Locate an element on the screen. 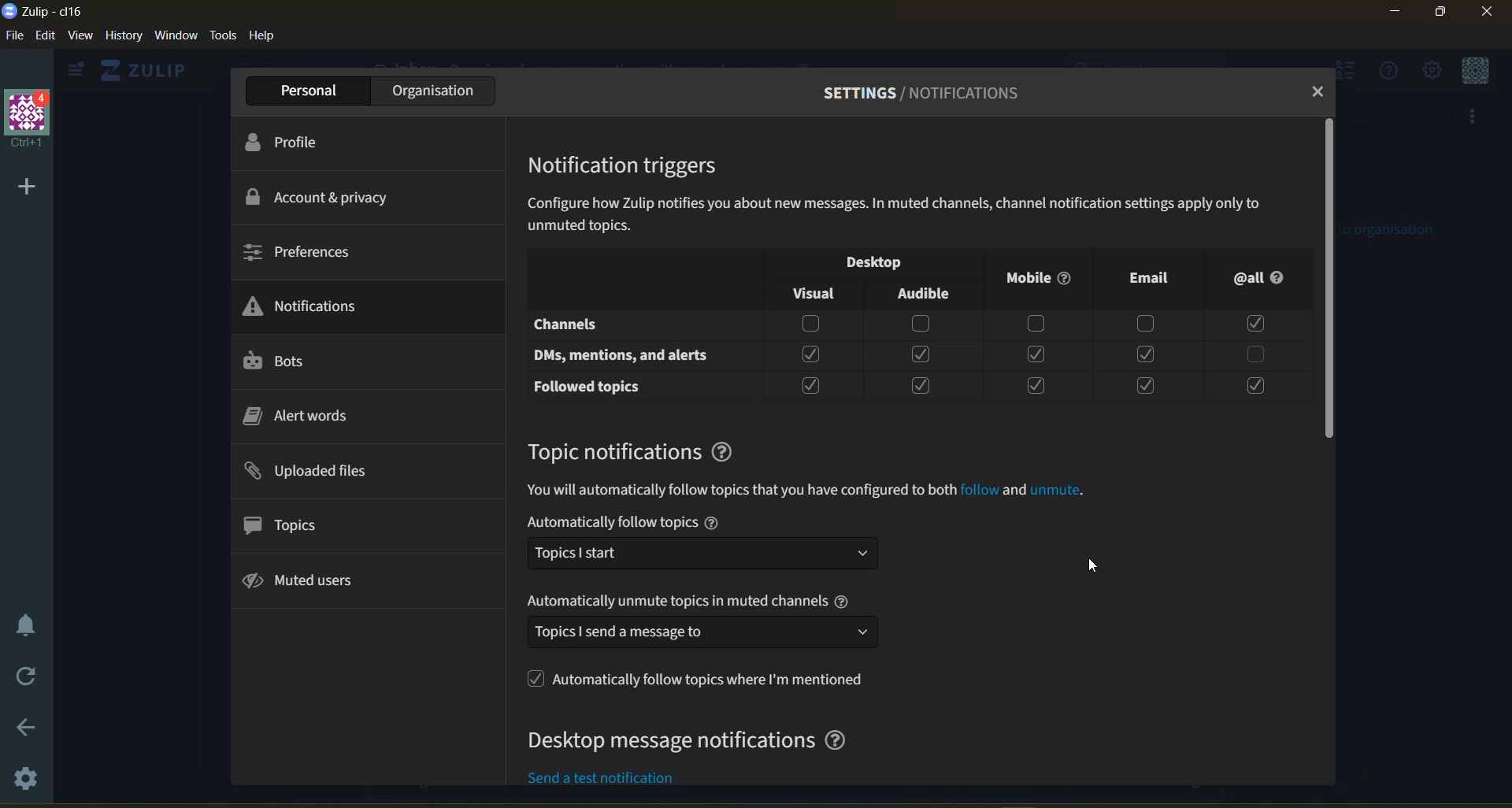  profile is located at coordinates (298, 142).